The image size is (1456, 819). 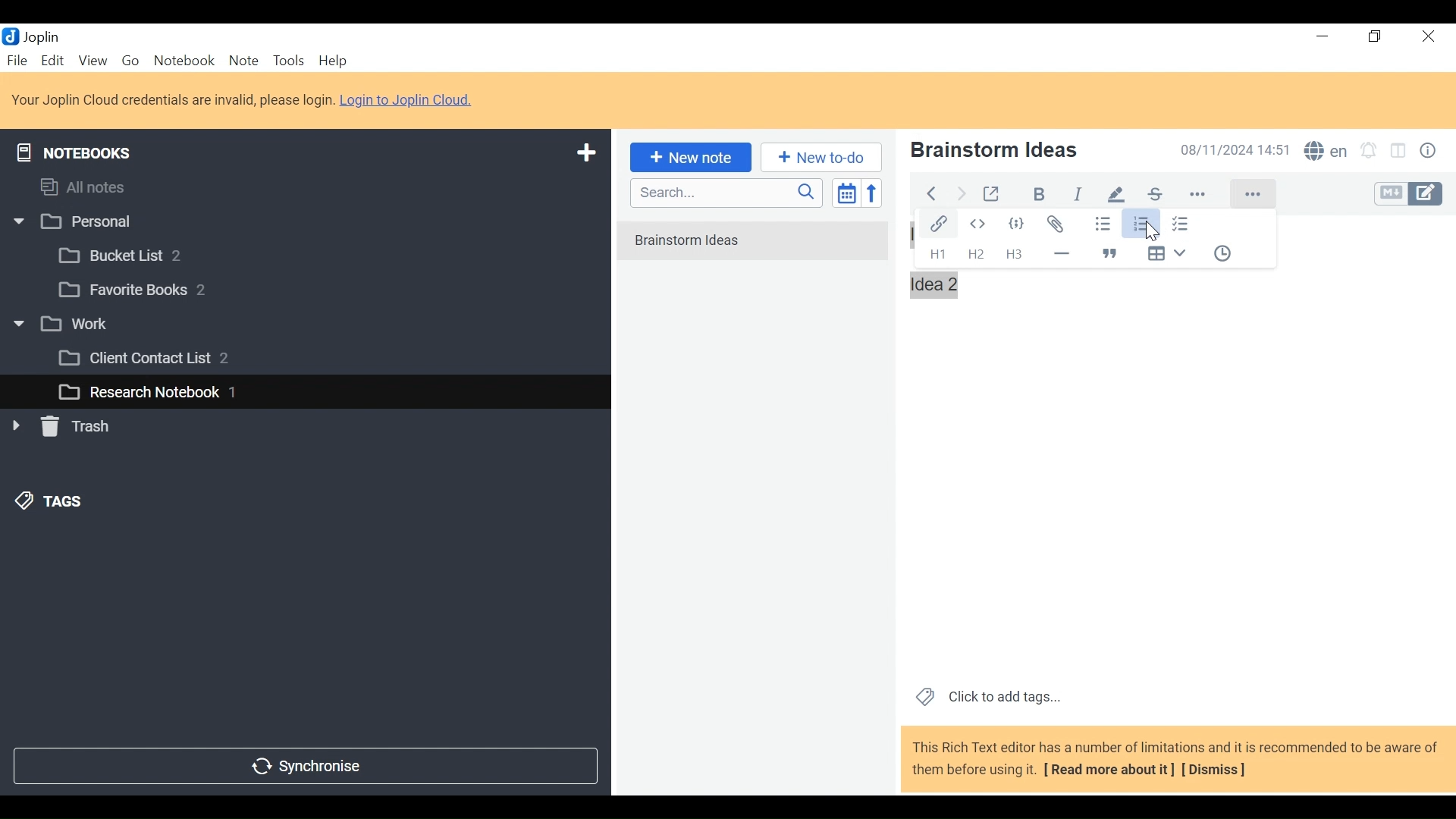 What do you see at coordinates (39, 36) in the screenshot?
I see `Joplin Desktop Icon` at bounding box center [39, 36].